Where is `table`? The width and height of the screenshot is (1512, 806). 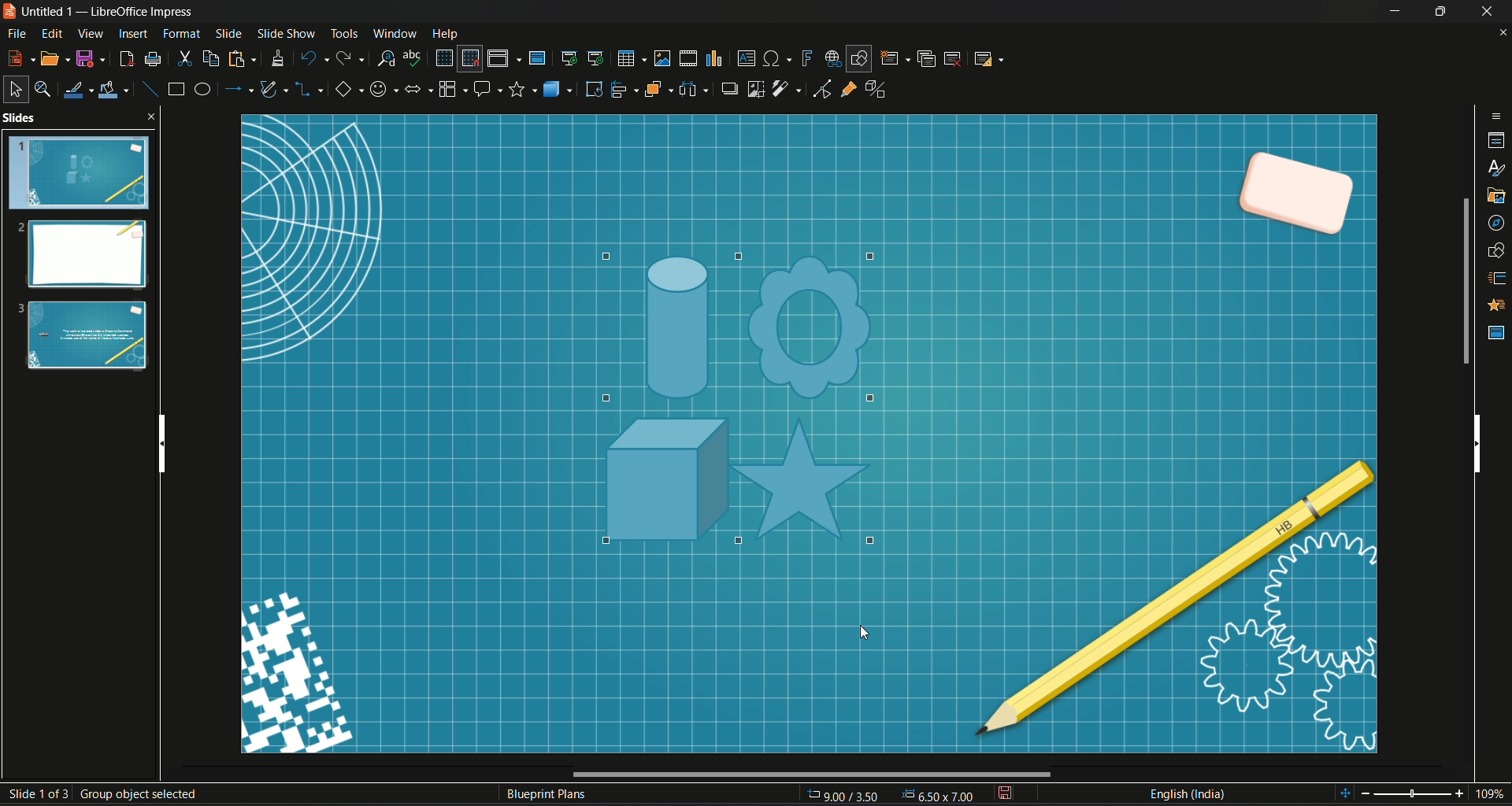 table is located at coordinates (630, 58).